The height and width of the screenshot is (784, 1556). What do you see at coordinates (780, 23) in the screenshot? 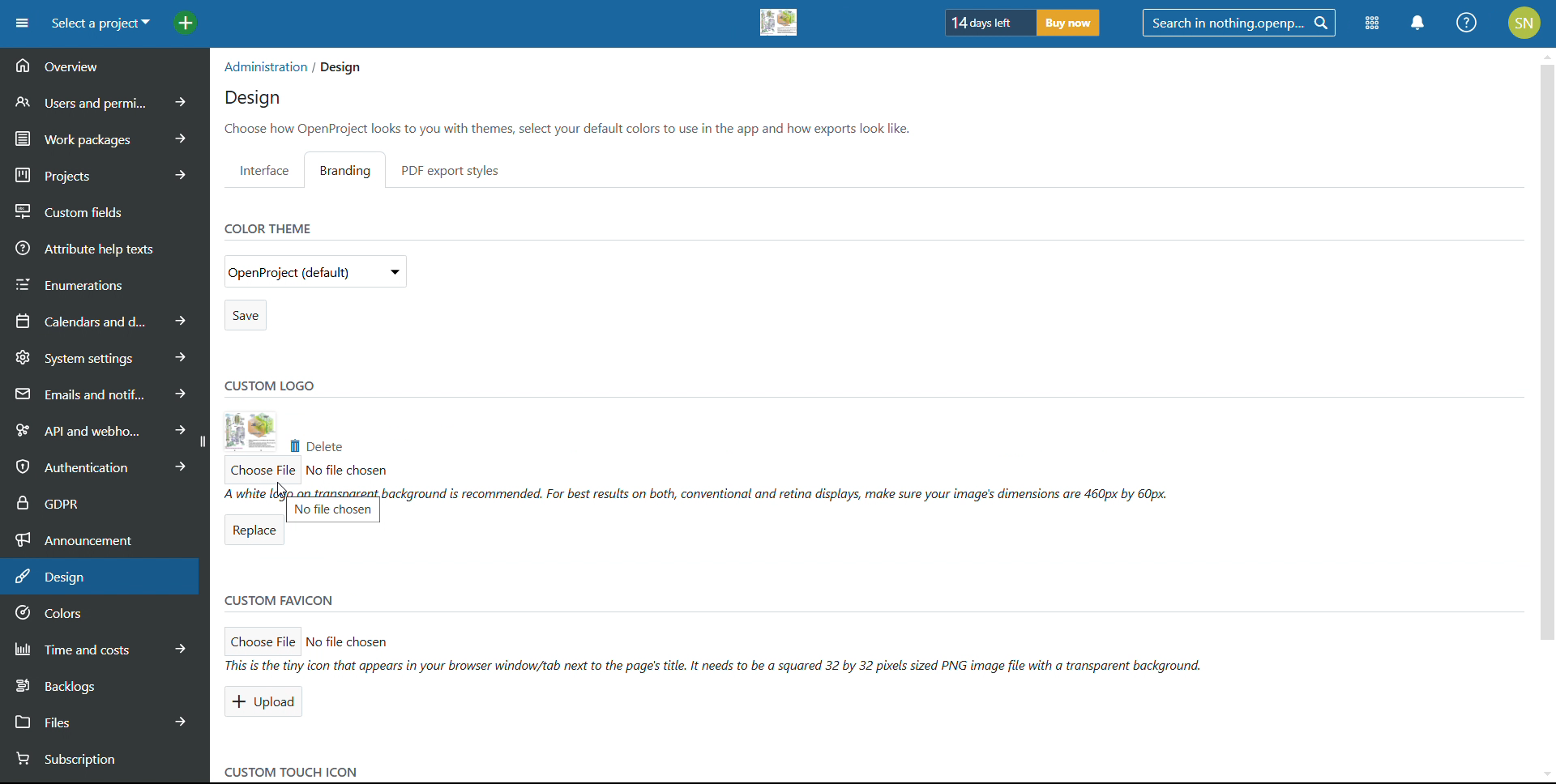
I see `custom logo added` at bounding box center [780, 23].